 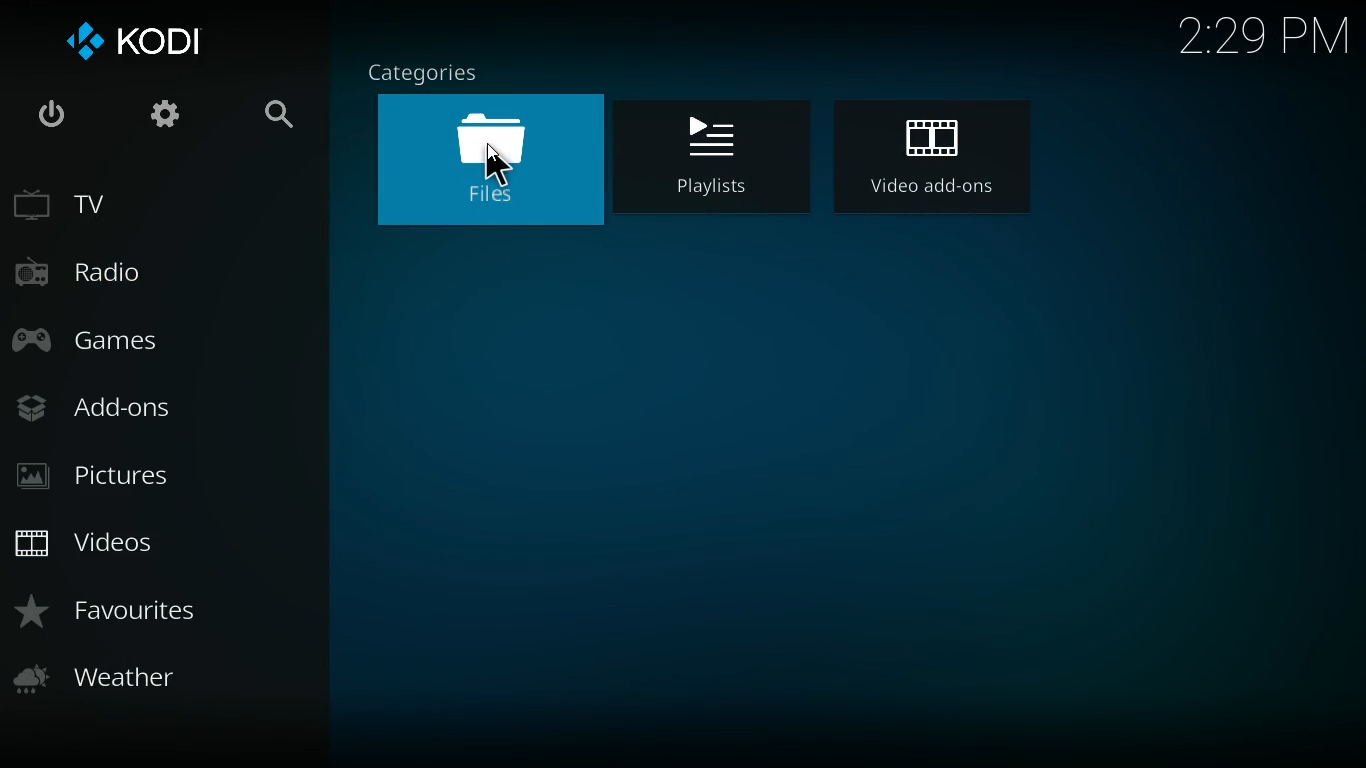 What do you see at coordinates (156, 275) in the screenshot?
I see `radio` at bounding box center [156, 275].